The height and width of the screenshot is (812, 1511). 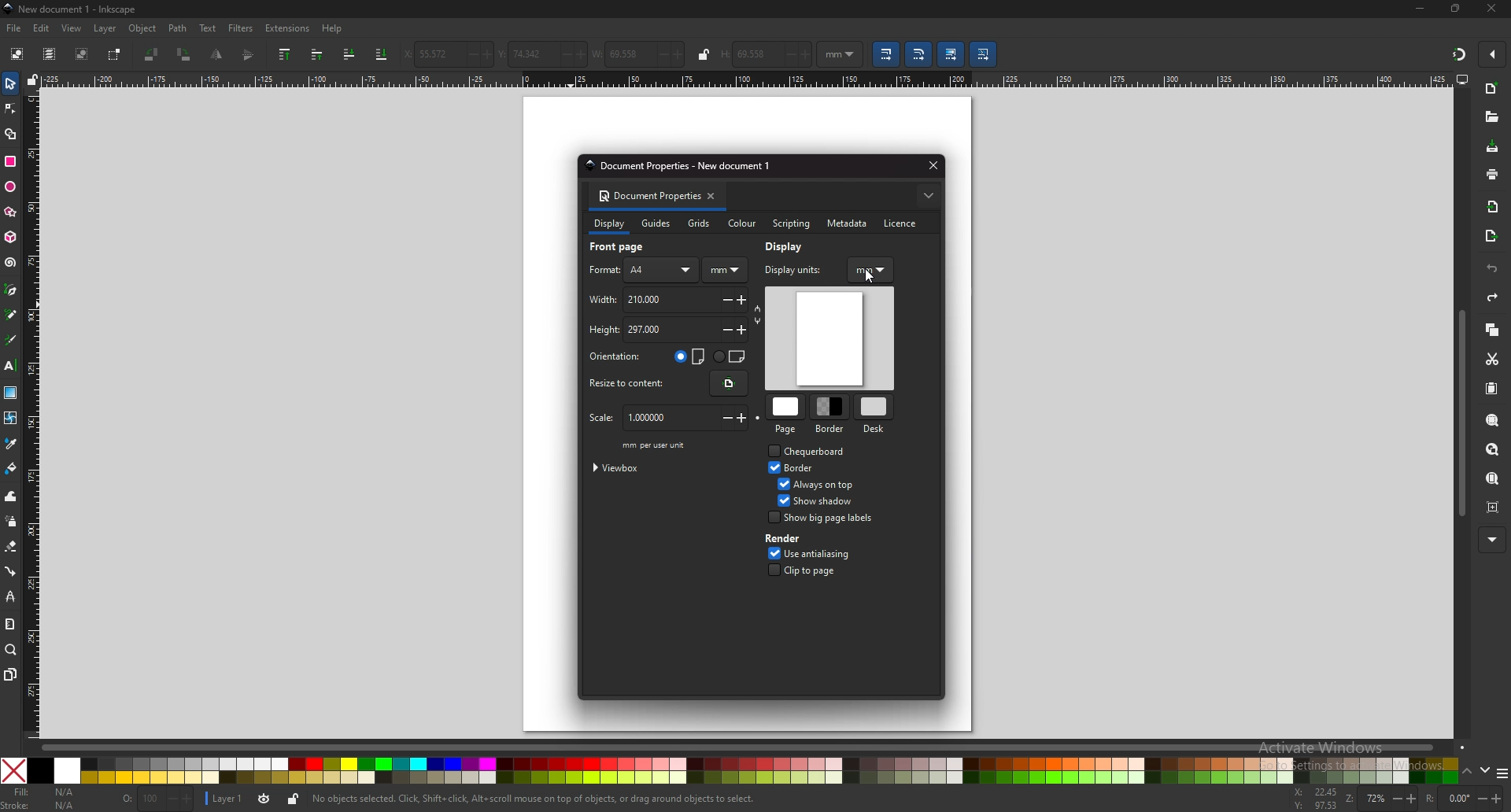 I want to click on +, so click(x=1500, y=798).